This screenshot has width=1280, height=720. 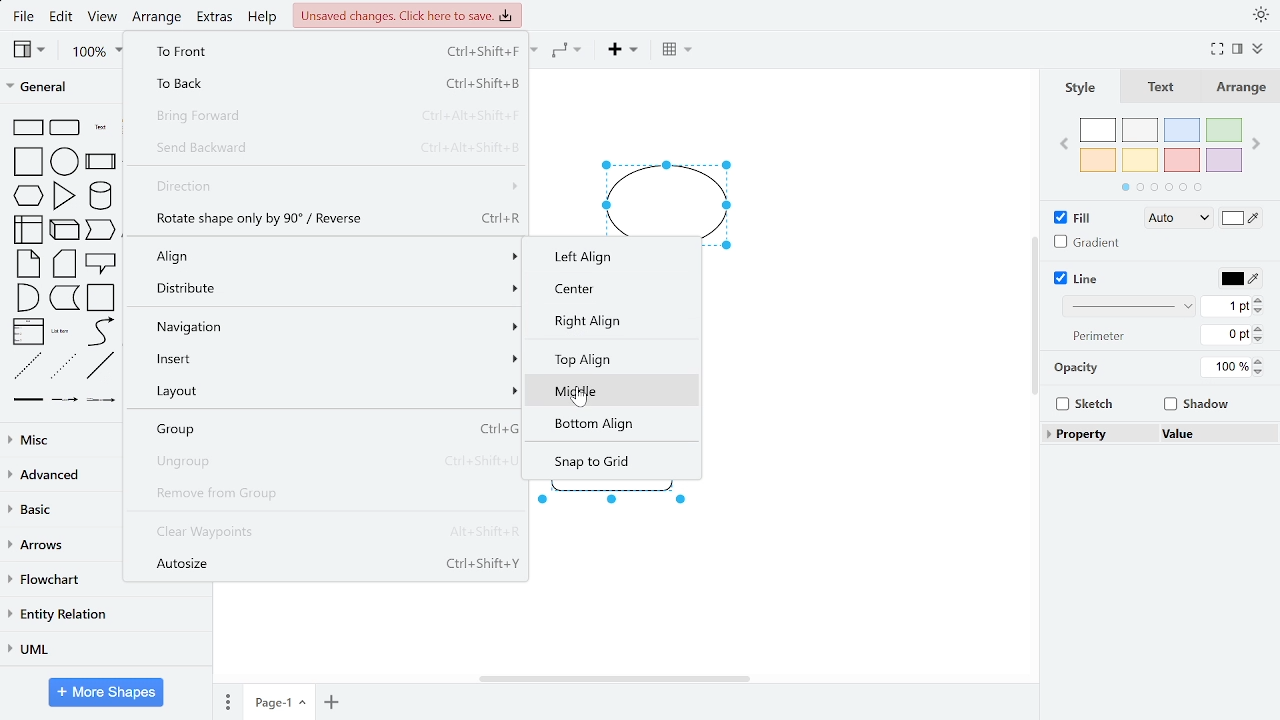 What do you see at coordinates (1142, 160) in the screenshot?
I see `yellow` at bounding box center [1142, 160].